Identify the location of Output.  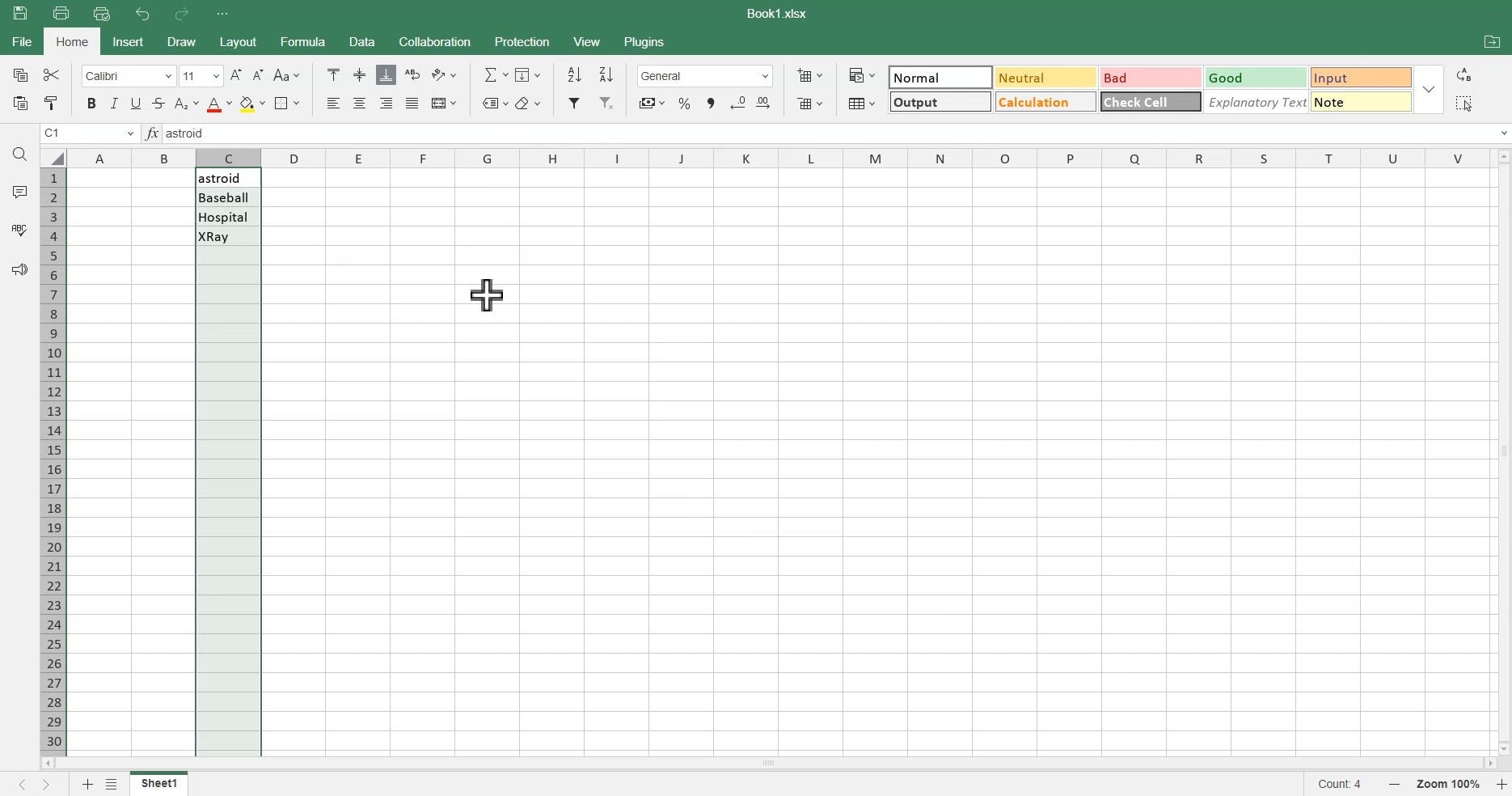
(938, 100).